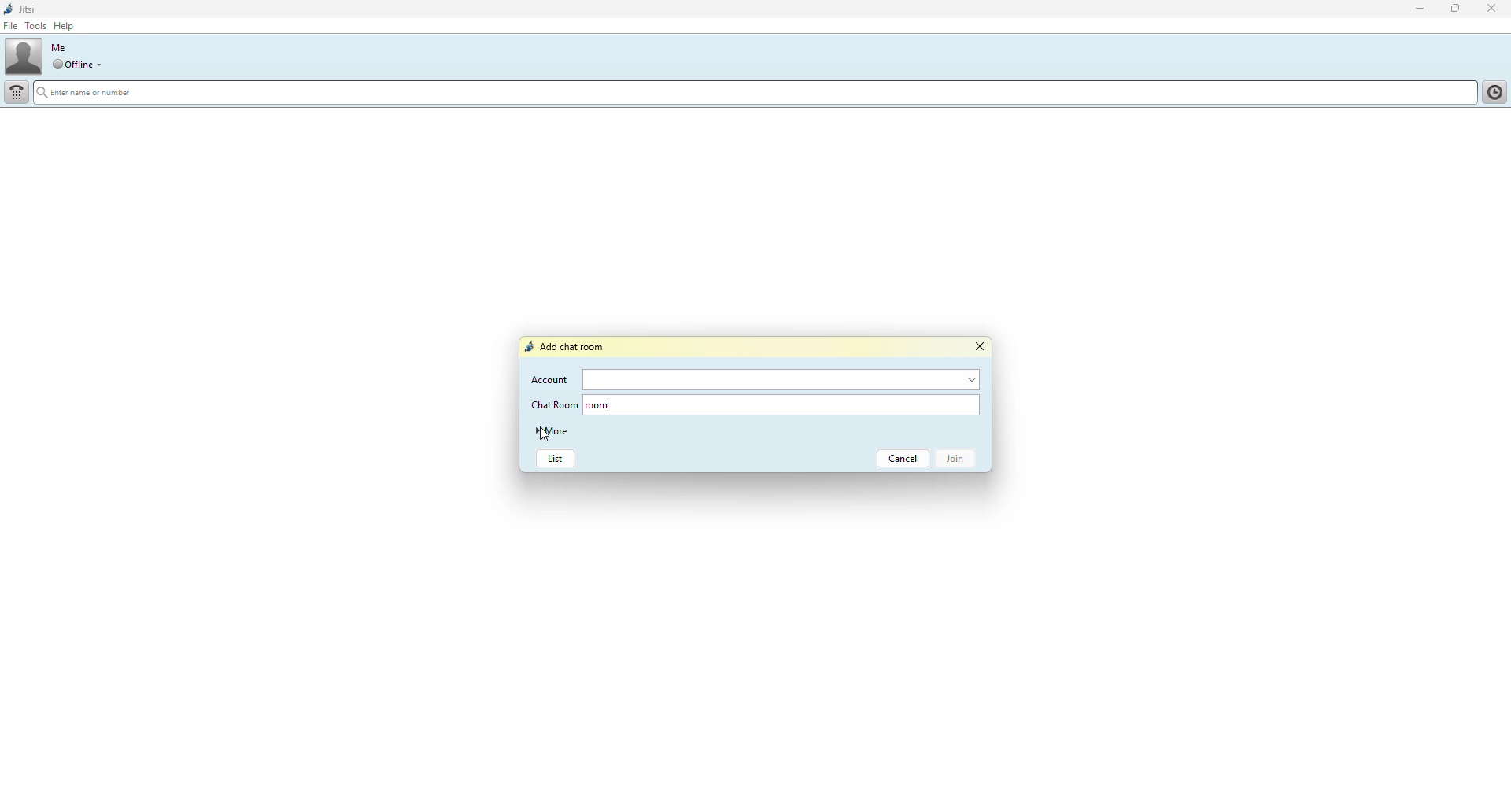  Describe the element at coordinates (551, 379) in the screenshot. I see `account` at that location.